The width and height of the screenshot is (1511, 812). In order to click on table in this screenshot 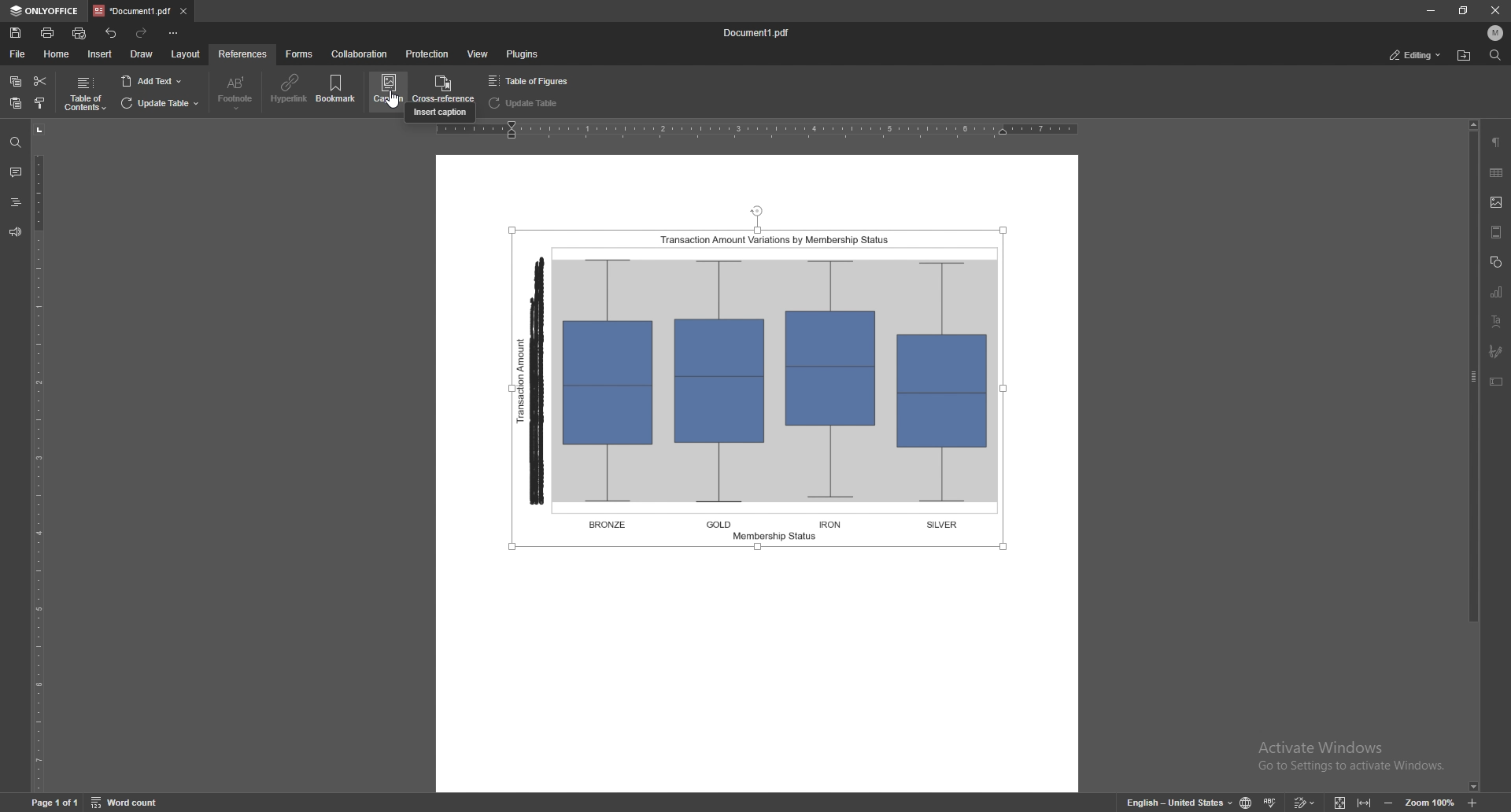, I will do `click(1497, 172)`.